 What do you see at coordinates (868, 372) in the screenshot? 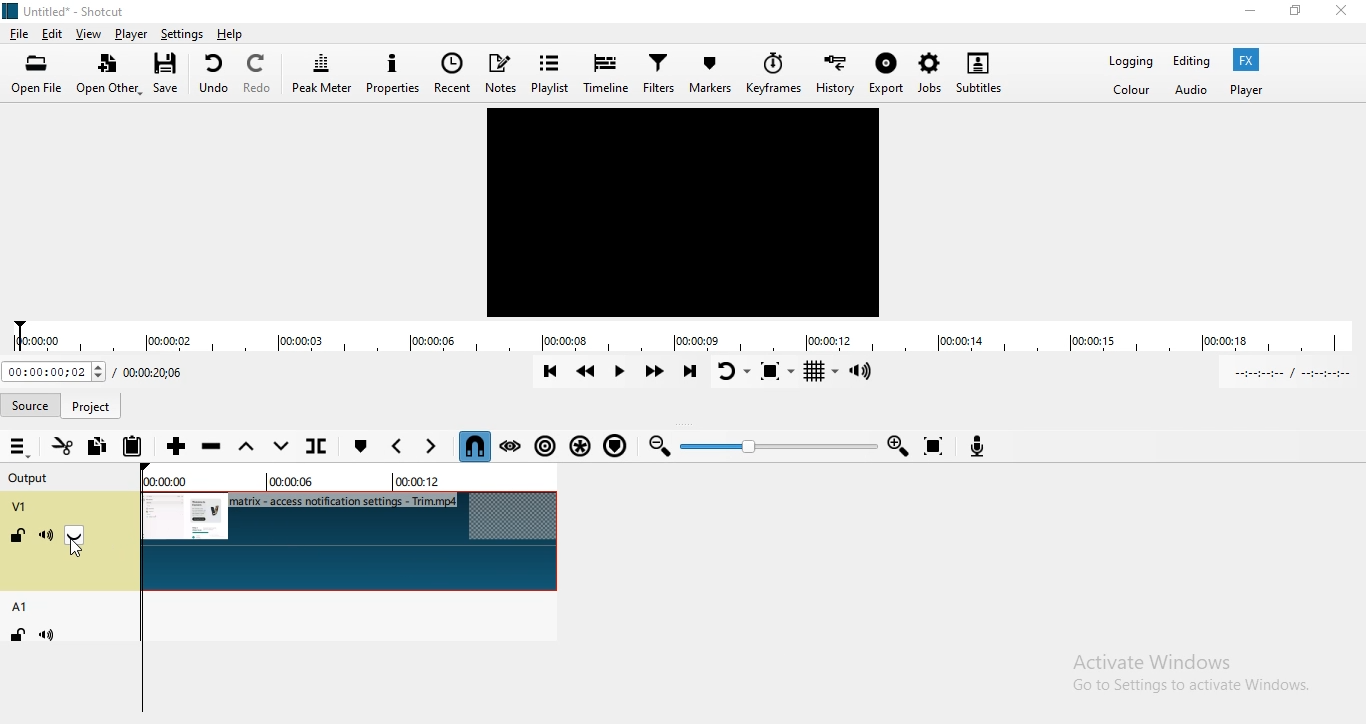
I see `Show volume control` at bounding box center [868, 372].